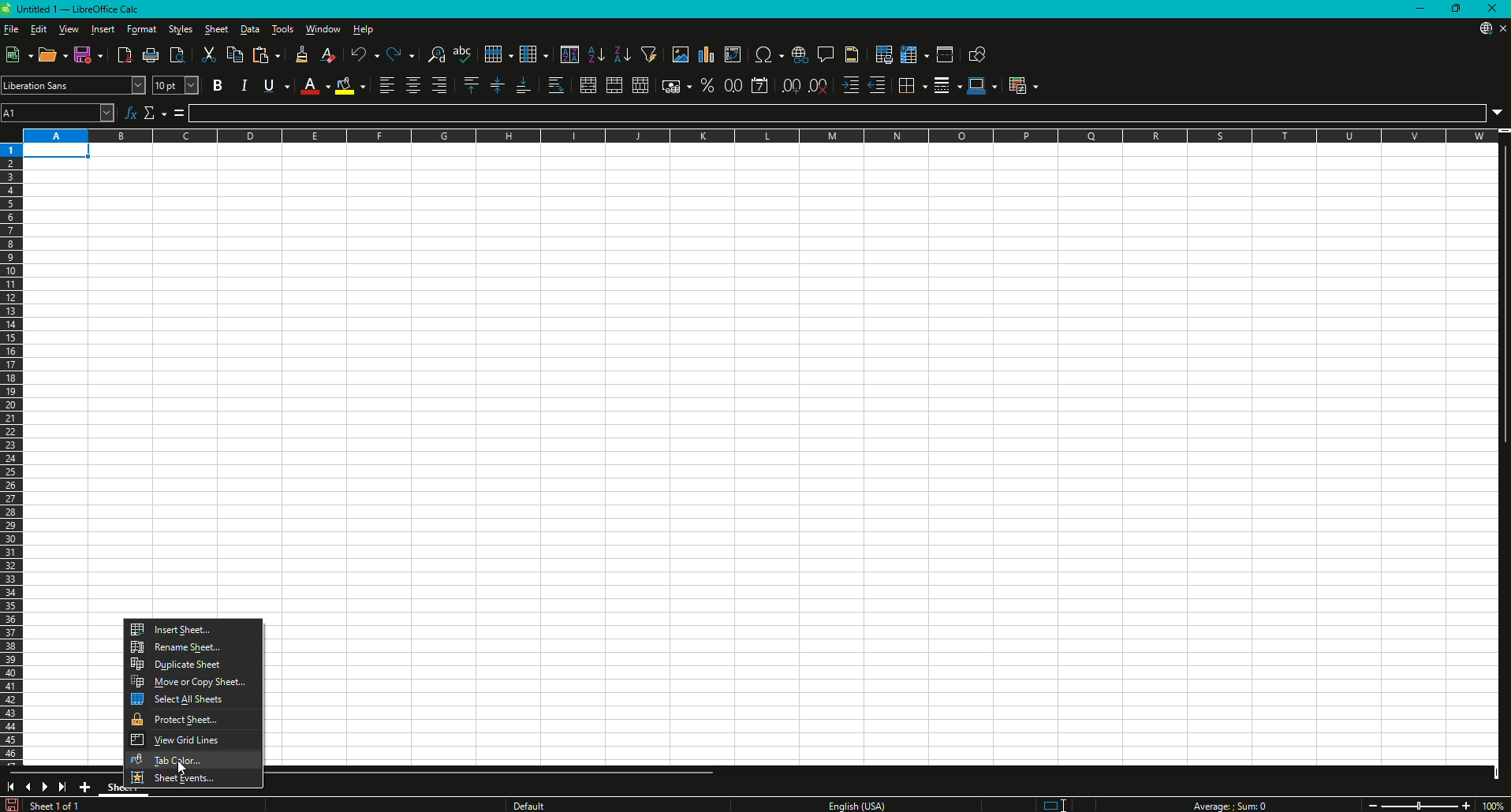 The width and height of the screenshot is (1511, 812). I want to click on Zoom slider, so click(1420, 805).